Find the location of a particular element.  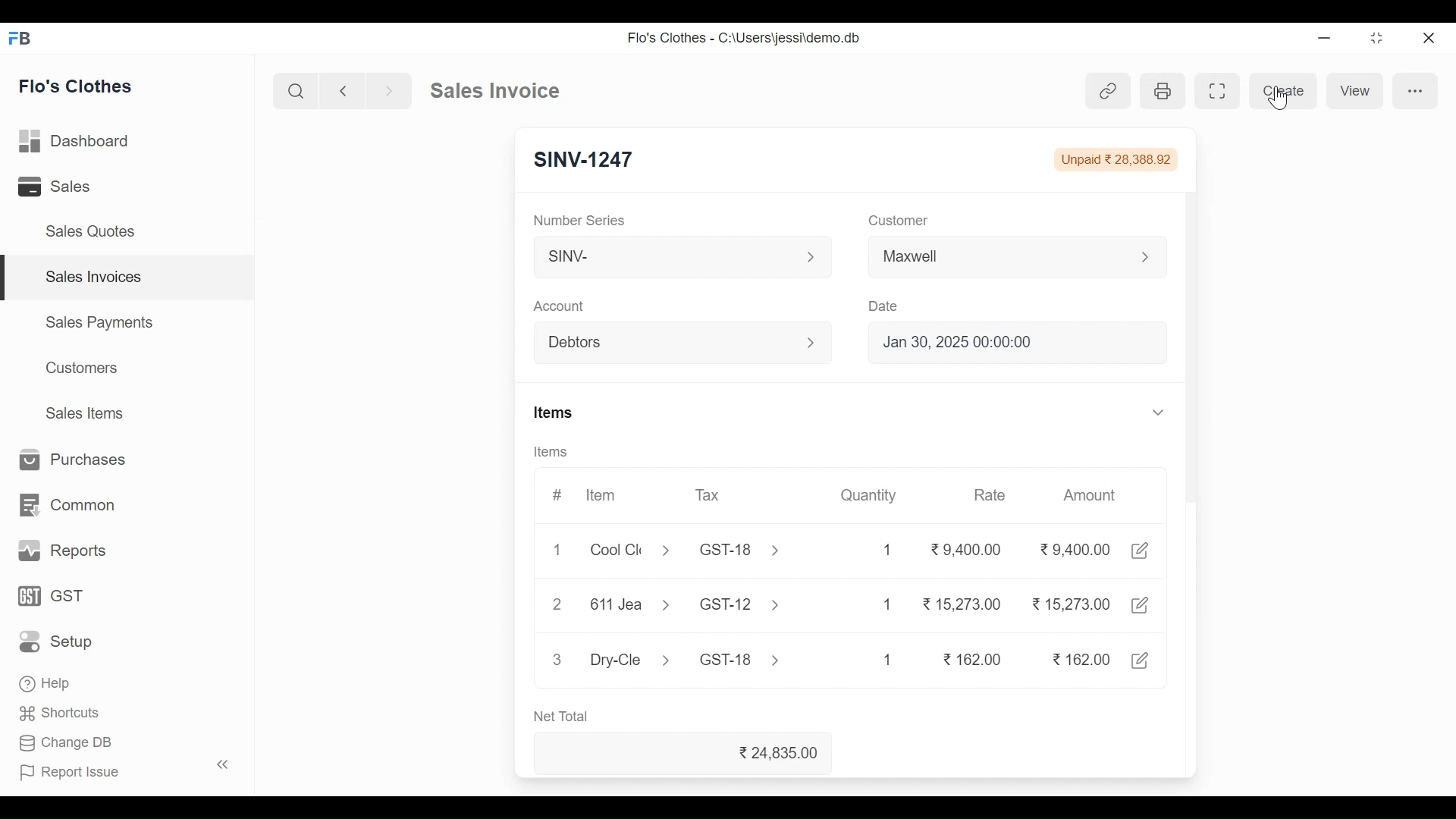

Sales Quotes is located at coordinates (88, 231).